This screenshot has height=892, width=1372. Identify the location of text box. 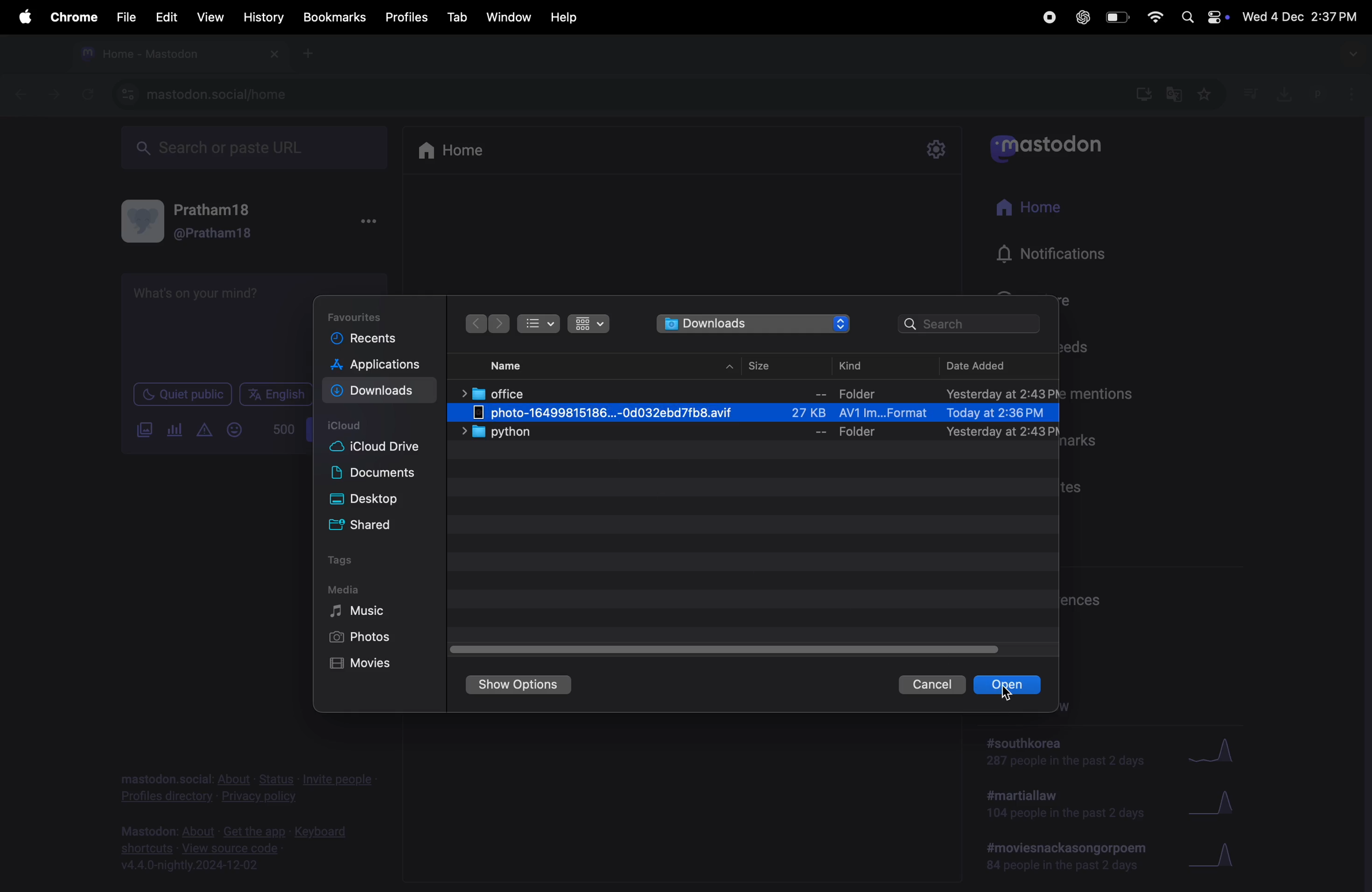
(213, 324).